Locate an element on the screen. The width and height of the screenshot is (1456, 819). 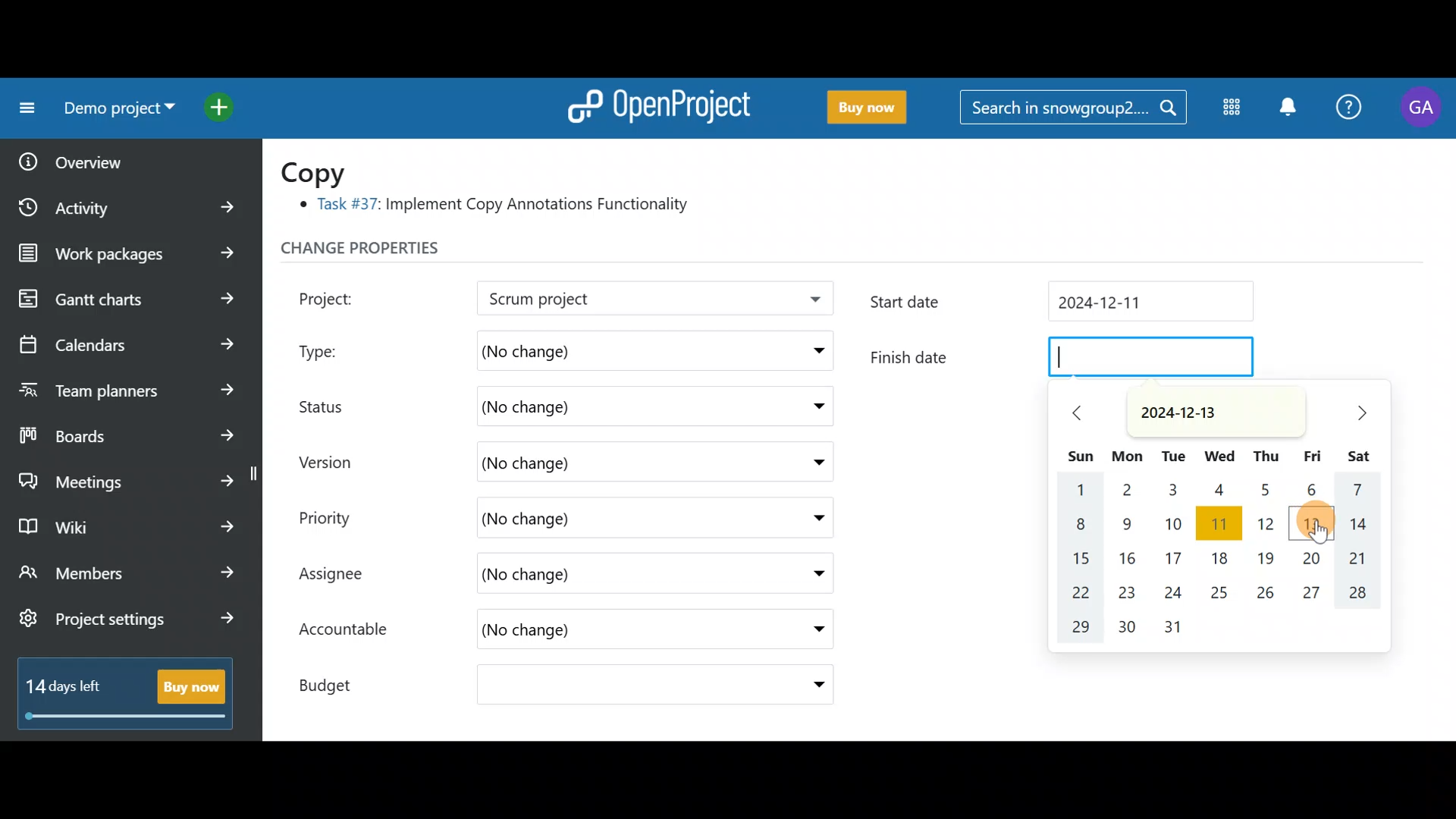
Calendars is located at coordinates (126, 338).